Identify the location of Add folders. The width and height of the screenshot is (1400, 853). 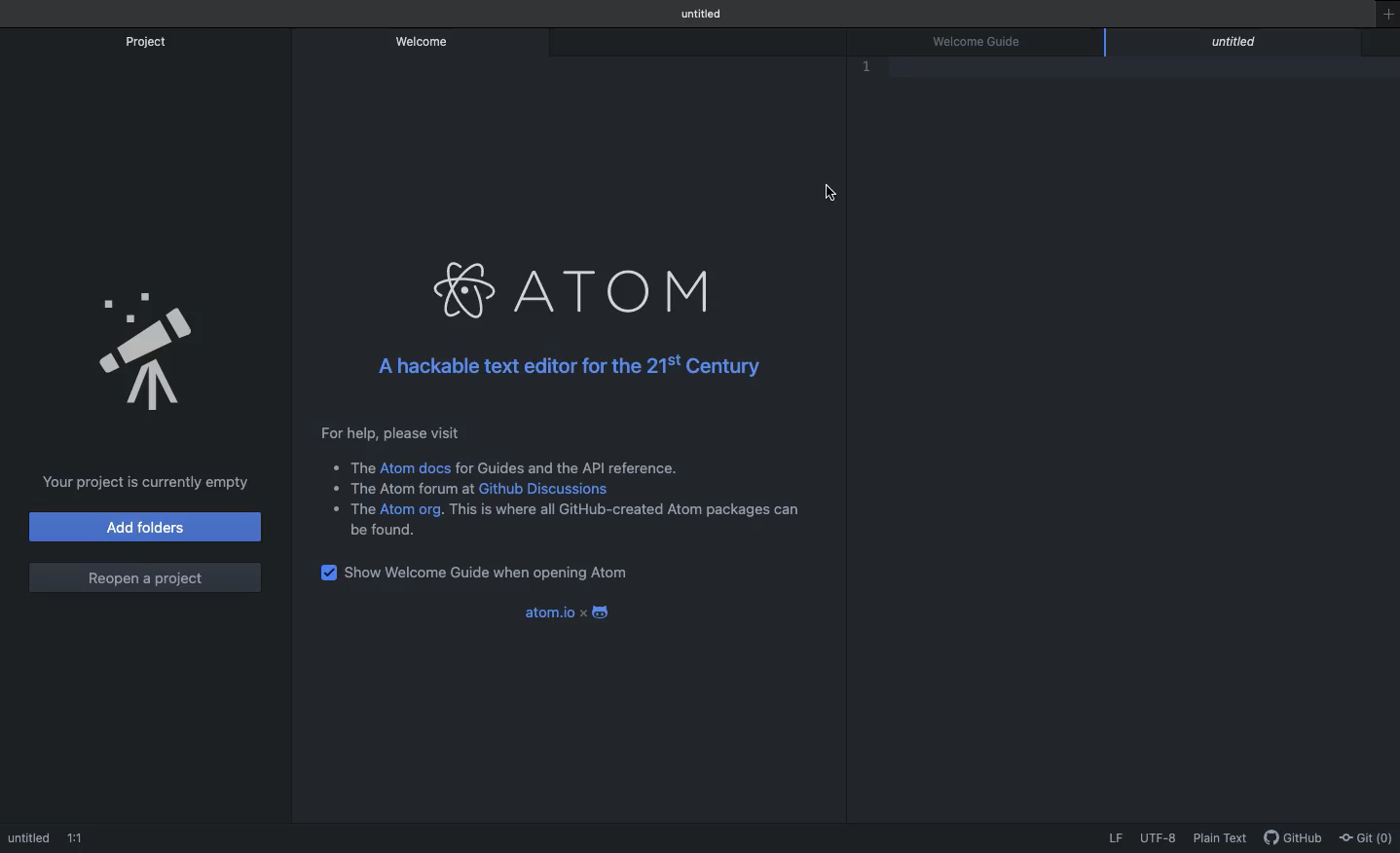
(143, 529).